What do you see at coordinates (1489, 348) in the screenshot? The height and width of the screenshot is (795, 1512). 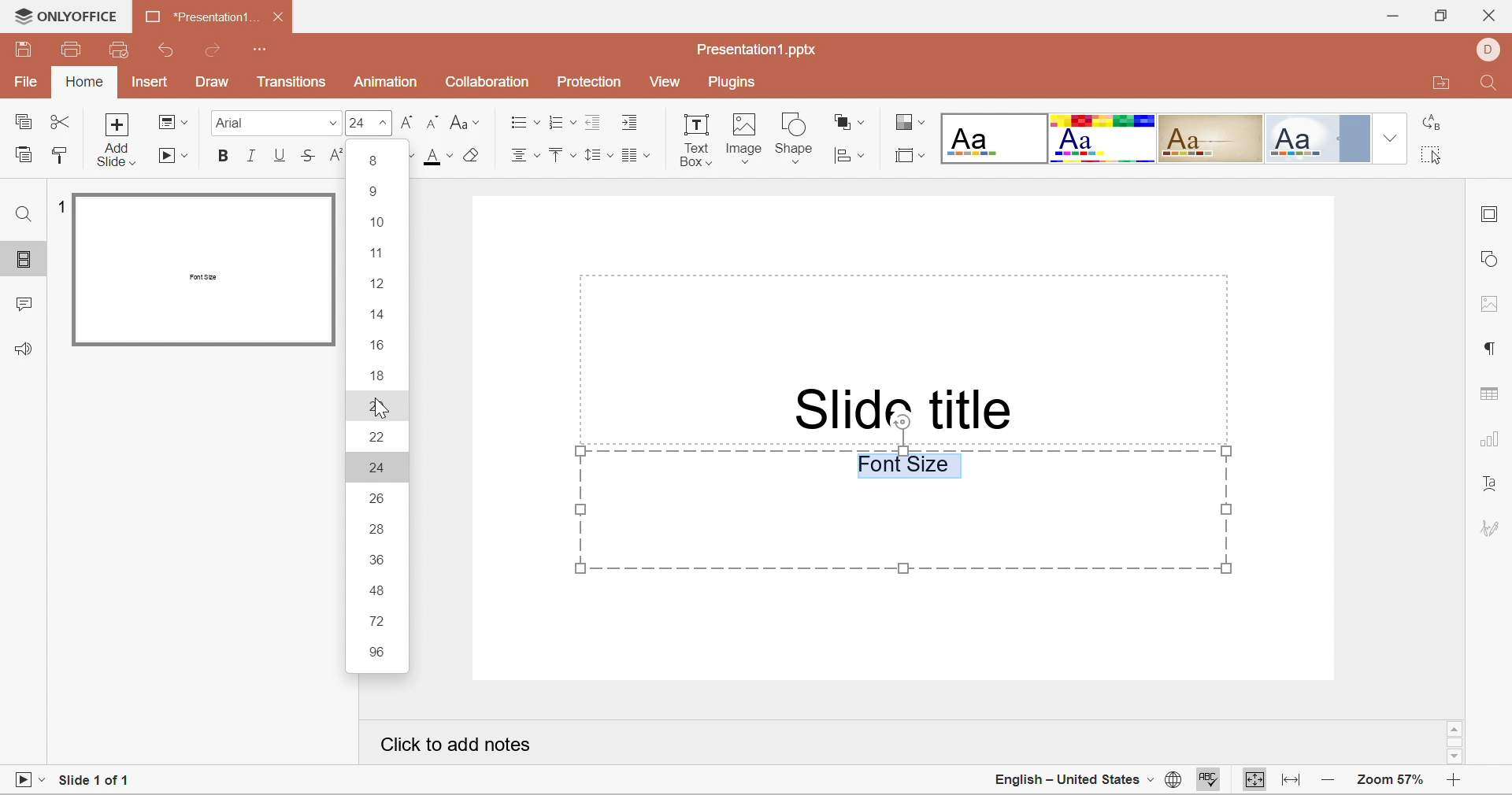 I see `paragraph settings` at bounding box center [1489, 348].